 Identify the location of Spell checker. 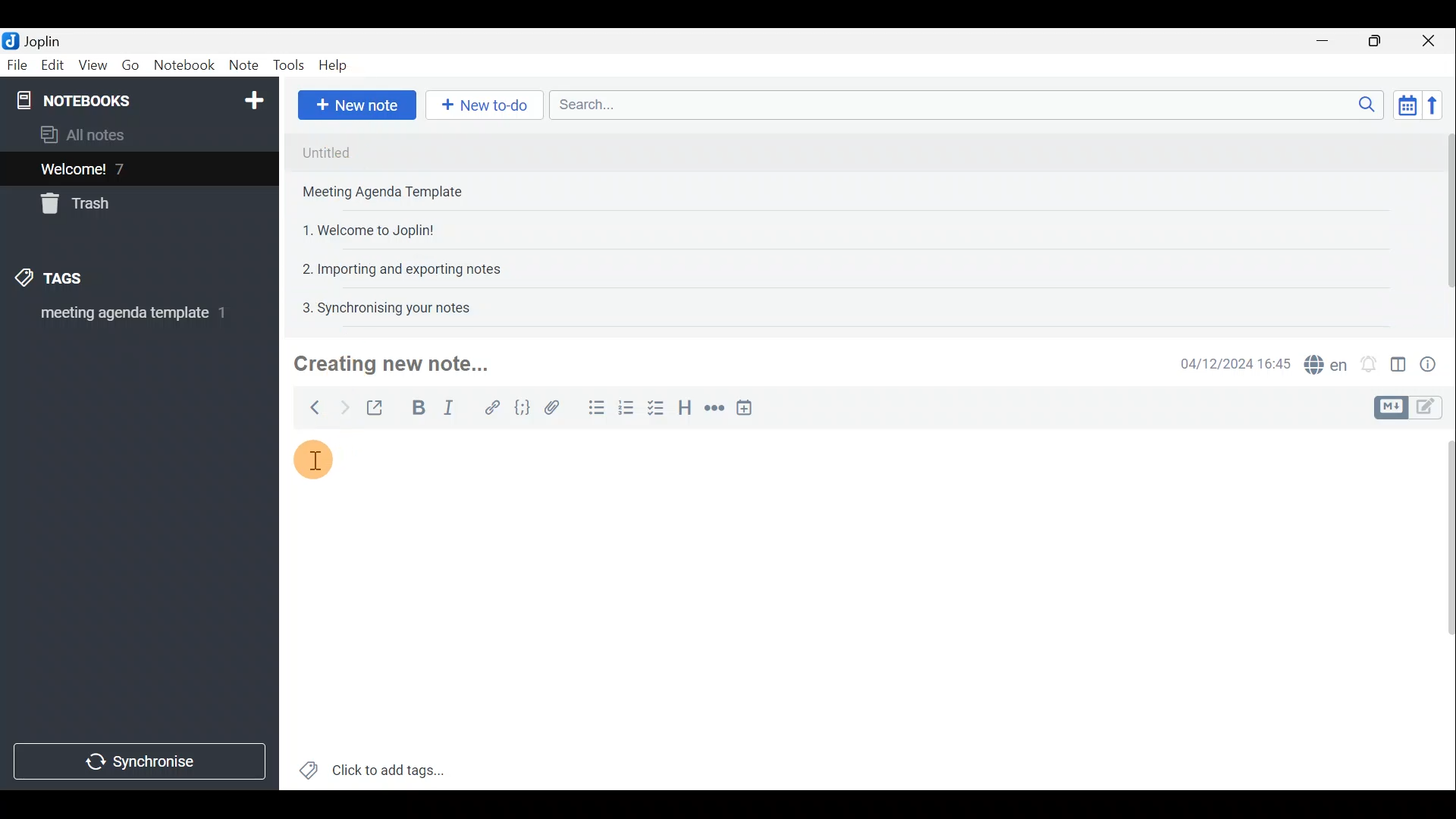
(1322, 362).